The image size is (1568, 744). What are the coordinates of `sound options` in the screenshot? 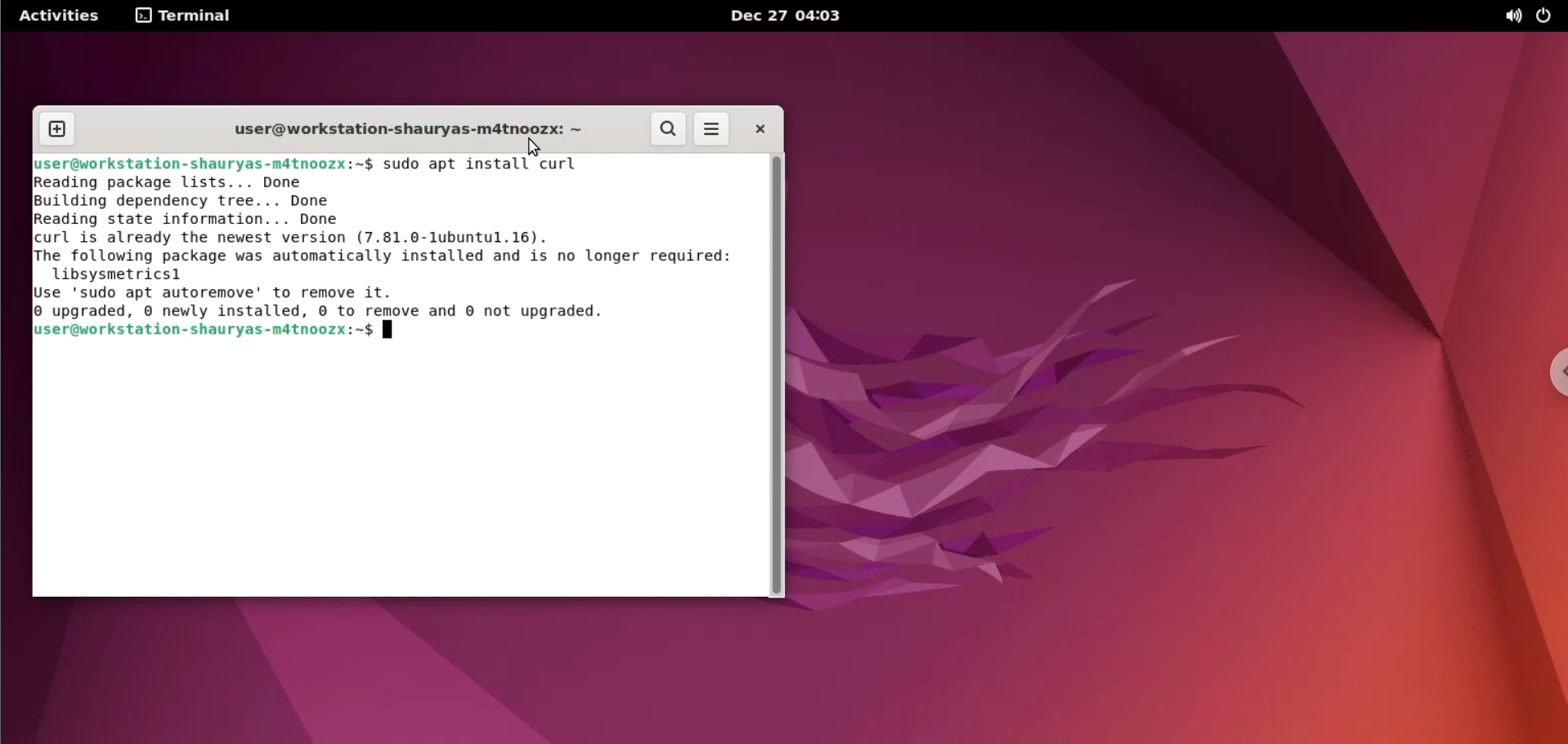 It's located at (1505, 16).